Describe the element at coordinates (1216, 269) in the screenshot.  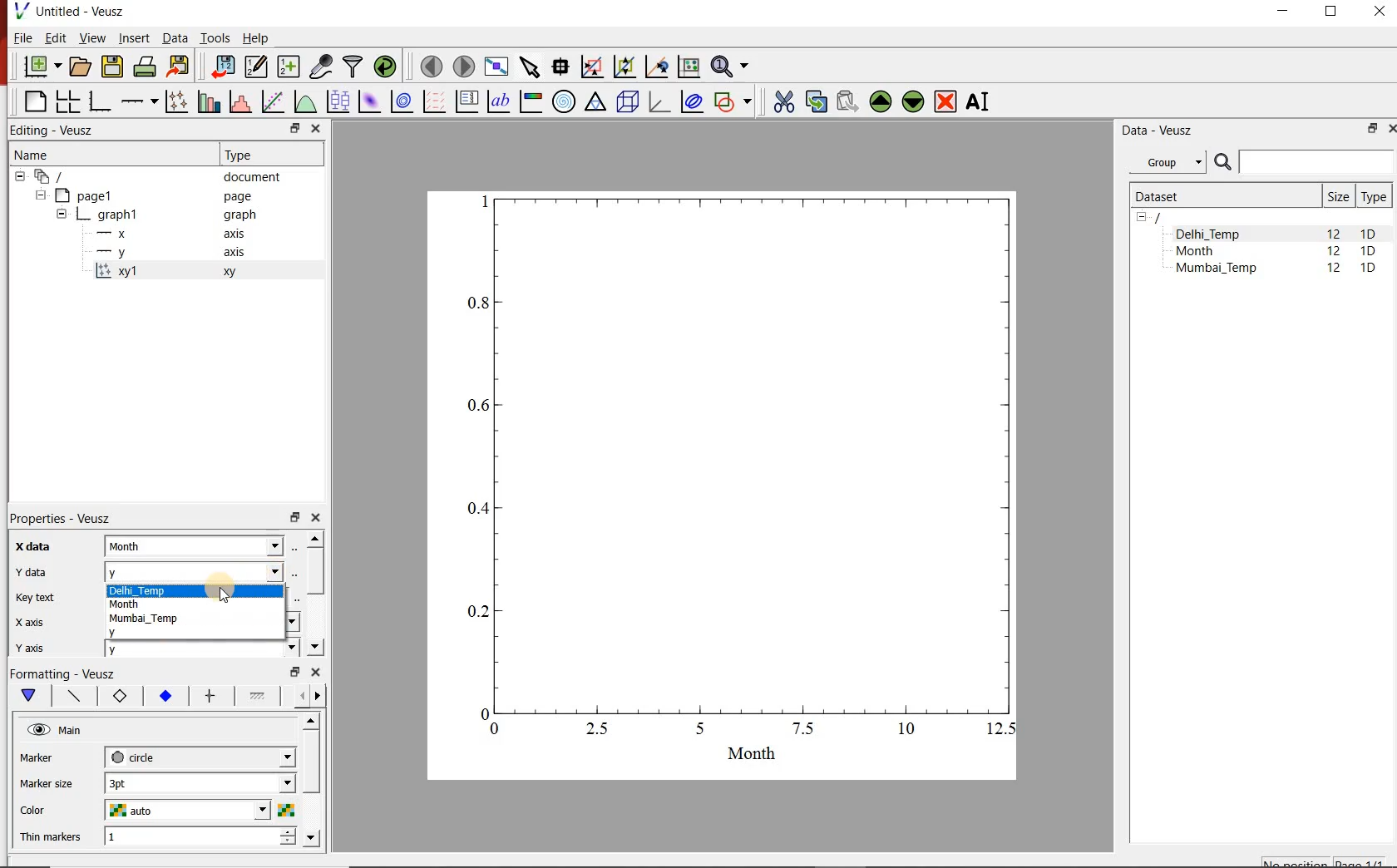
I see `Mumbai_Temp` at that location.